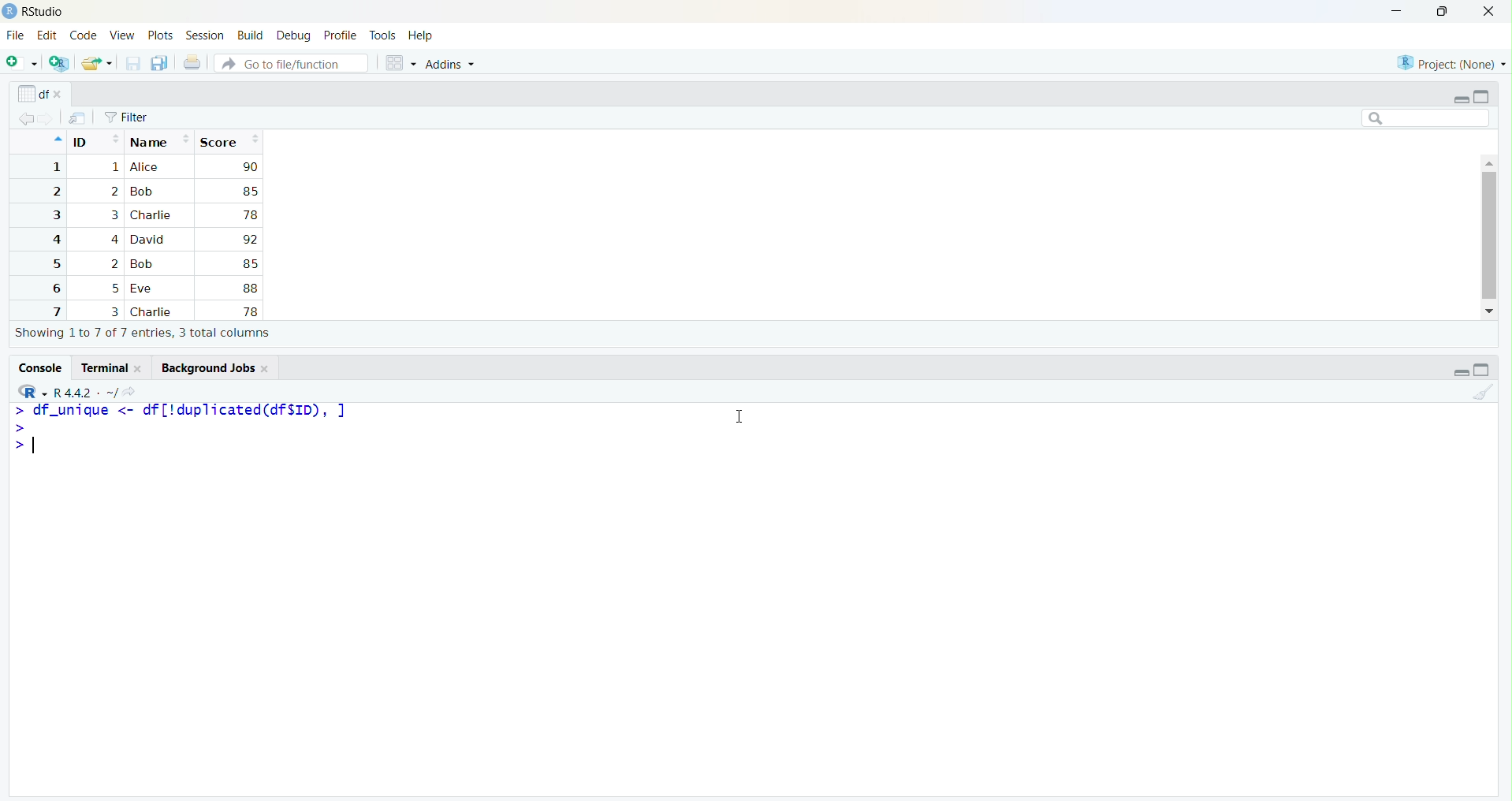  What do you see at coordinates (39, 445) in the screenshot?
I see `typing cursor` at bounding box center [39, 445].